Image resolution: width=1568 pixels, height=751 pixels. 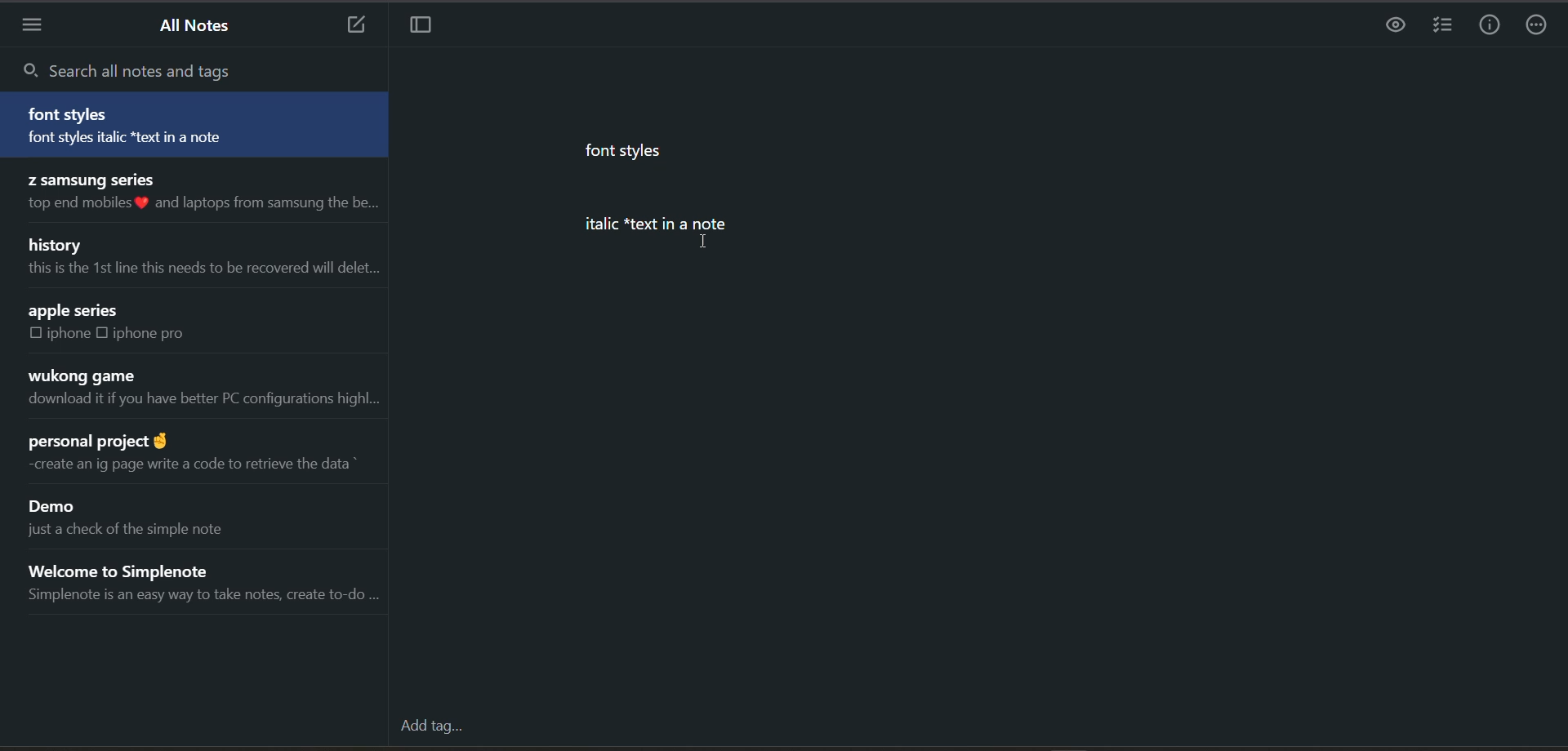 I want to click on info, so click(x=1493, y=23).